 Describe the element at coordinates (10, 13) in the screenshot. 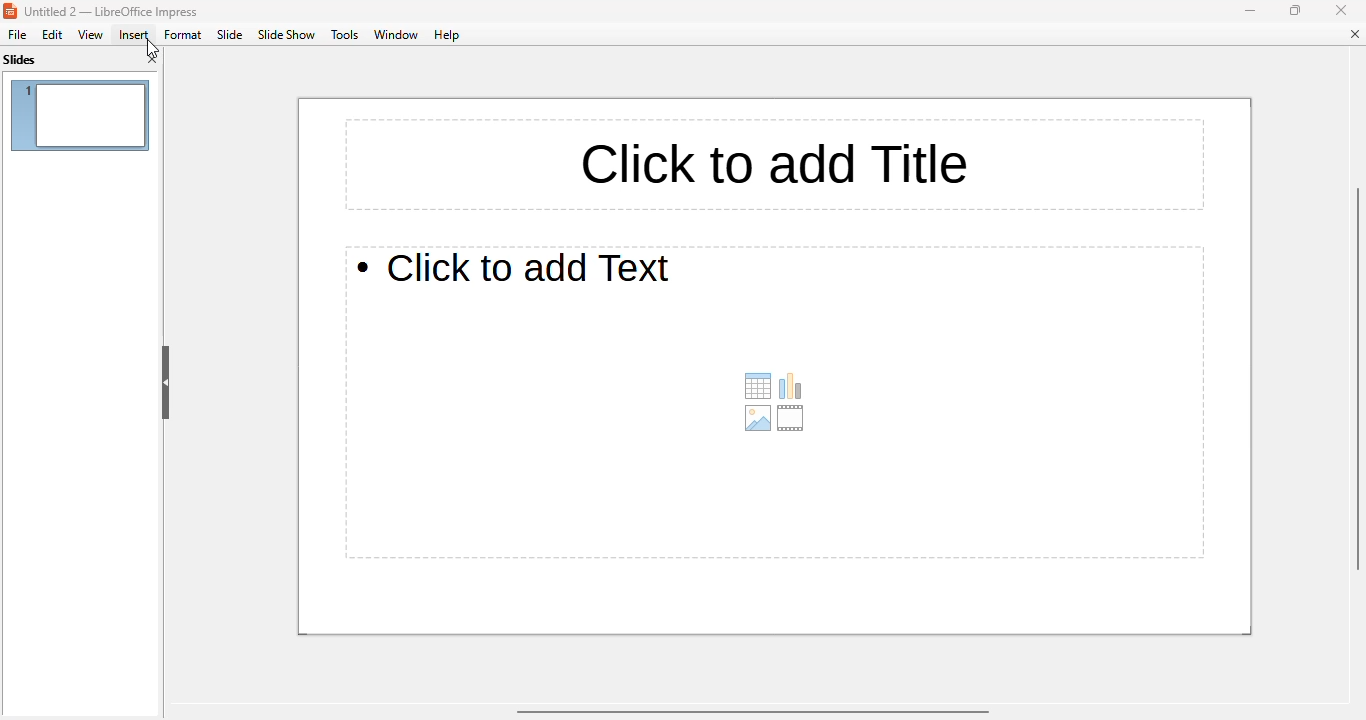

I see `logo` at that location.